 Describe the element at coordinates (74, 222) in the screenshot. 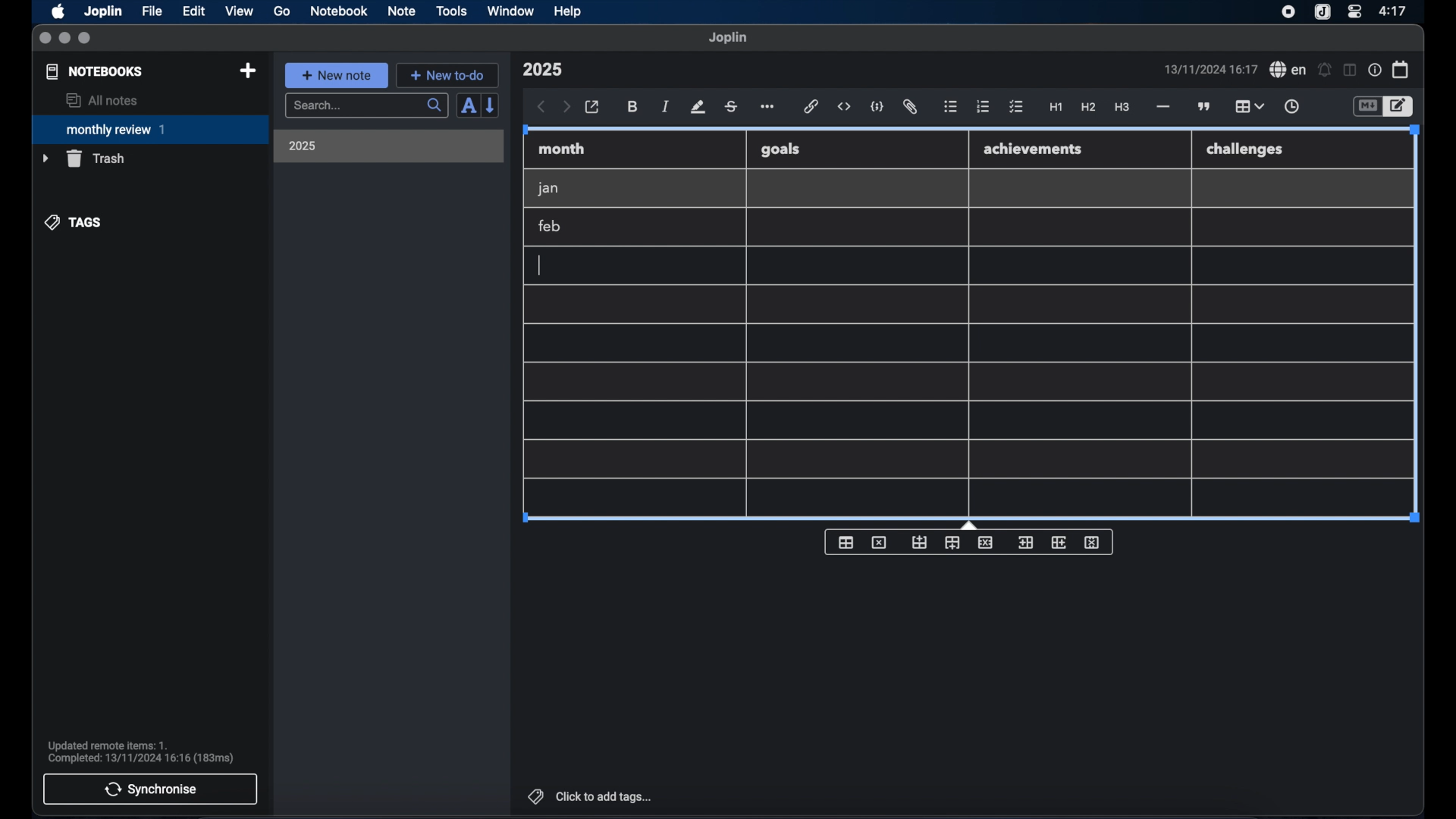

I see `tags` at that location.